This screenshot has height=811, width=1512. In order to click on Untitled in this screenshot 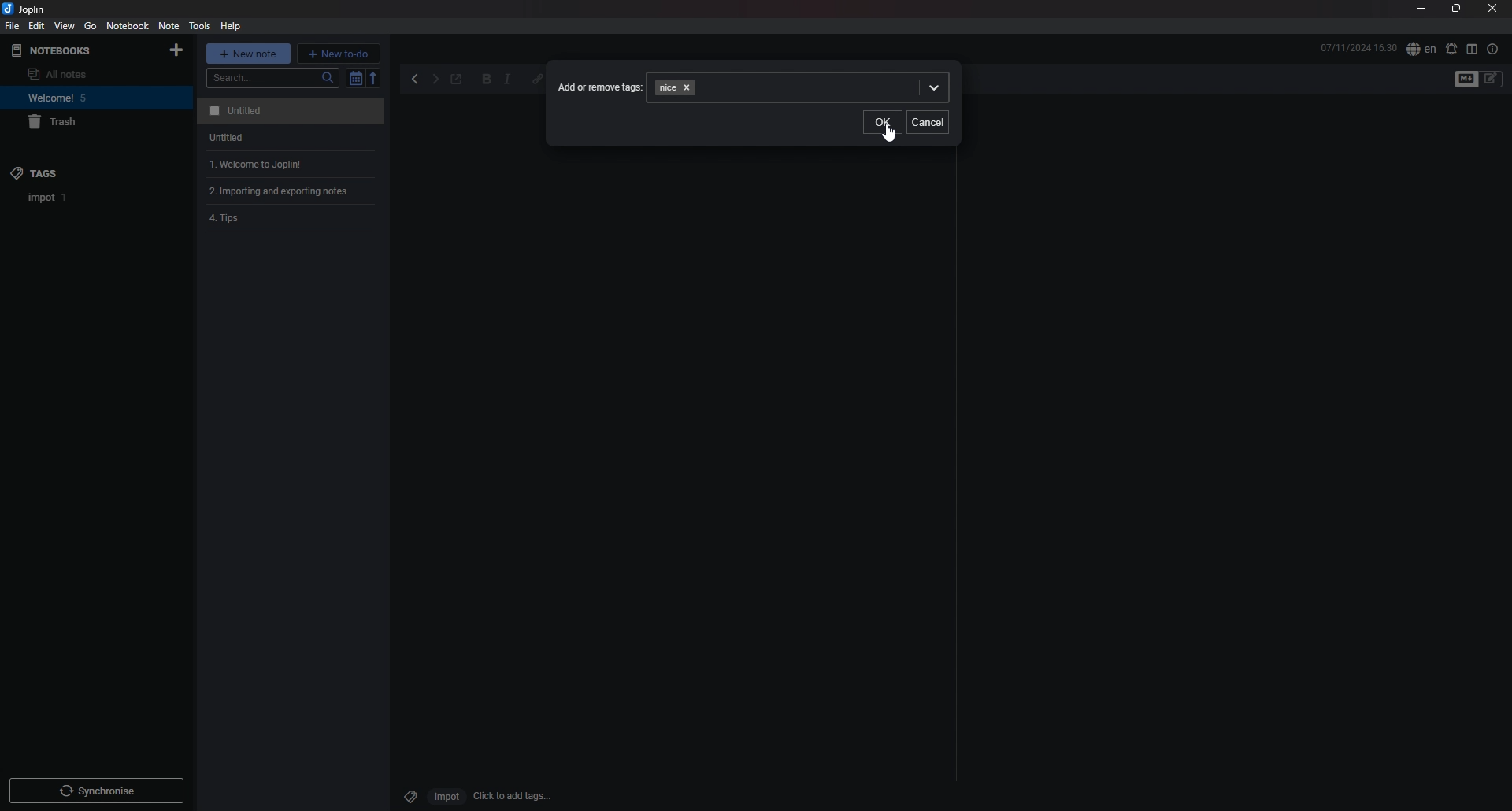, I will do `click(221, 139)`.